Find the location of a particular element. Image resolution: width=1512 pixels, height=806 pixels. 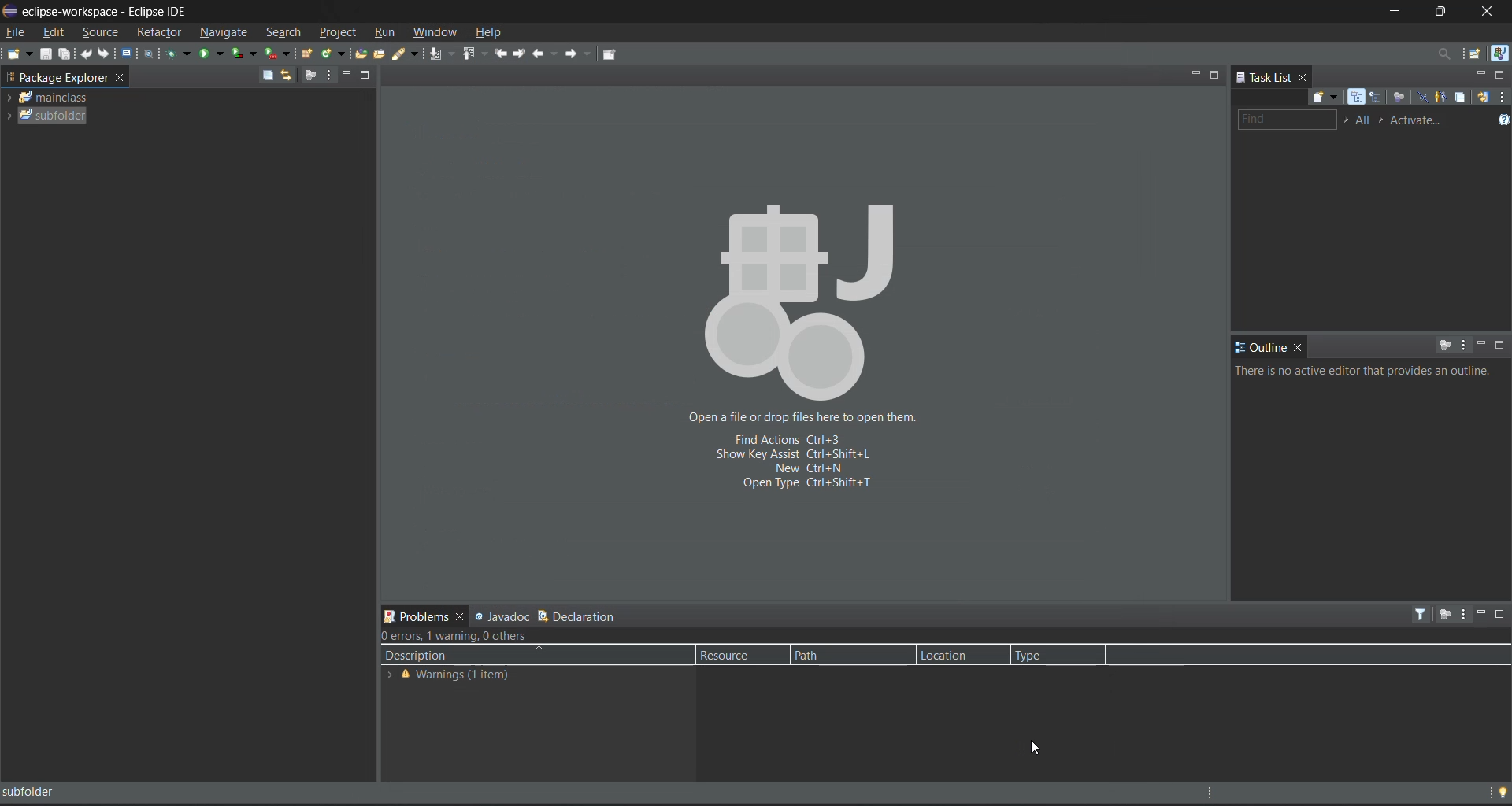

edit working task sets is located at coordinates (1365, 121).